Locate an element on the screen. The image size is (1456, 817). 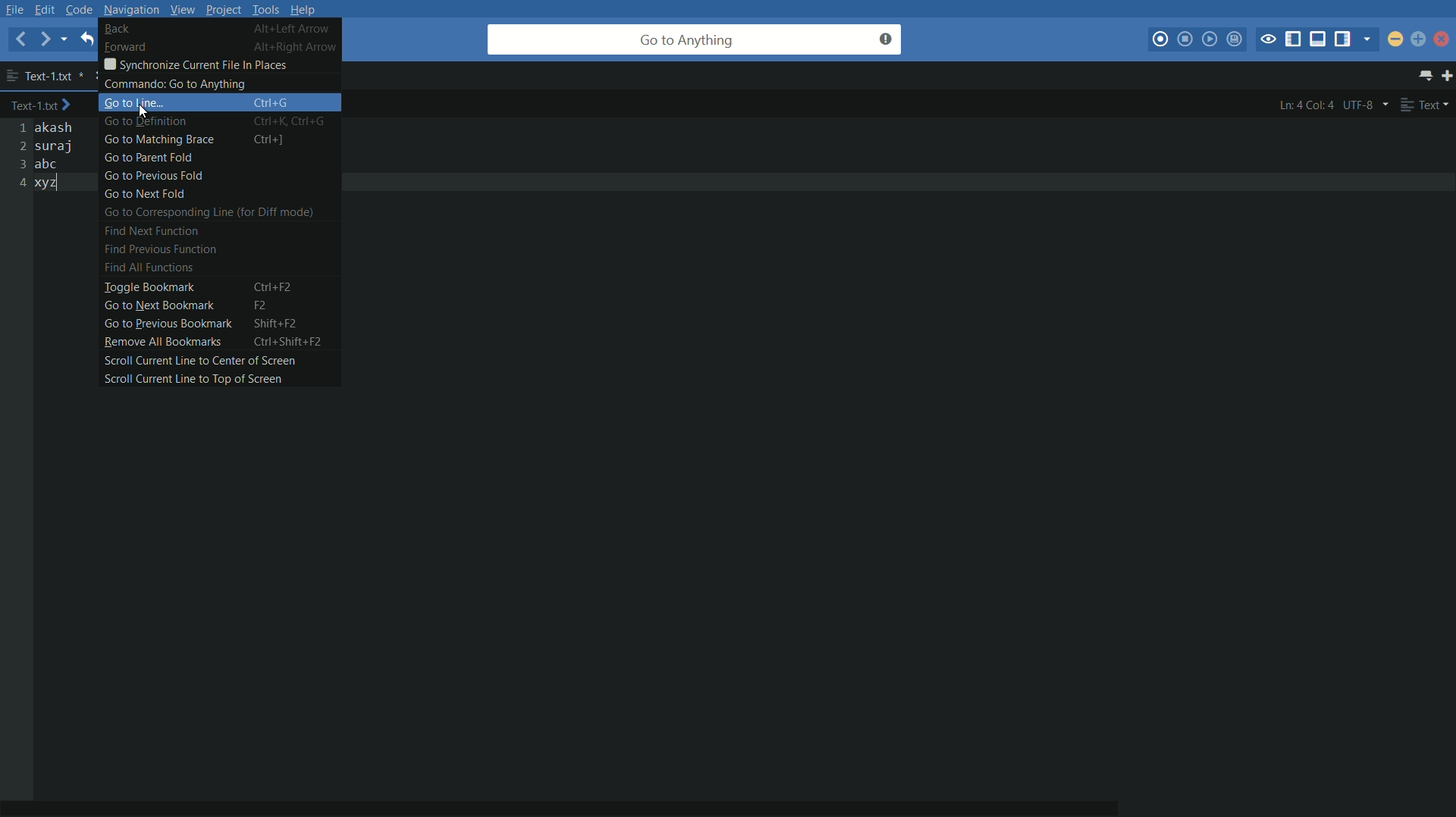
find all functions is located at coordinates (147, 268).